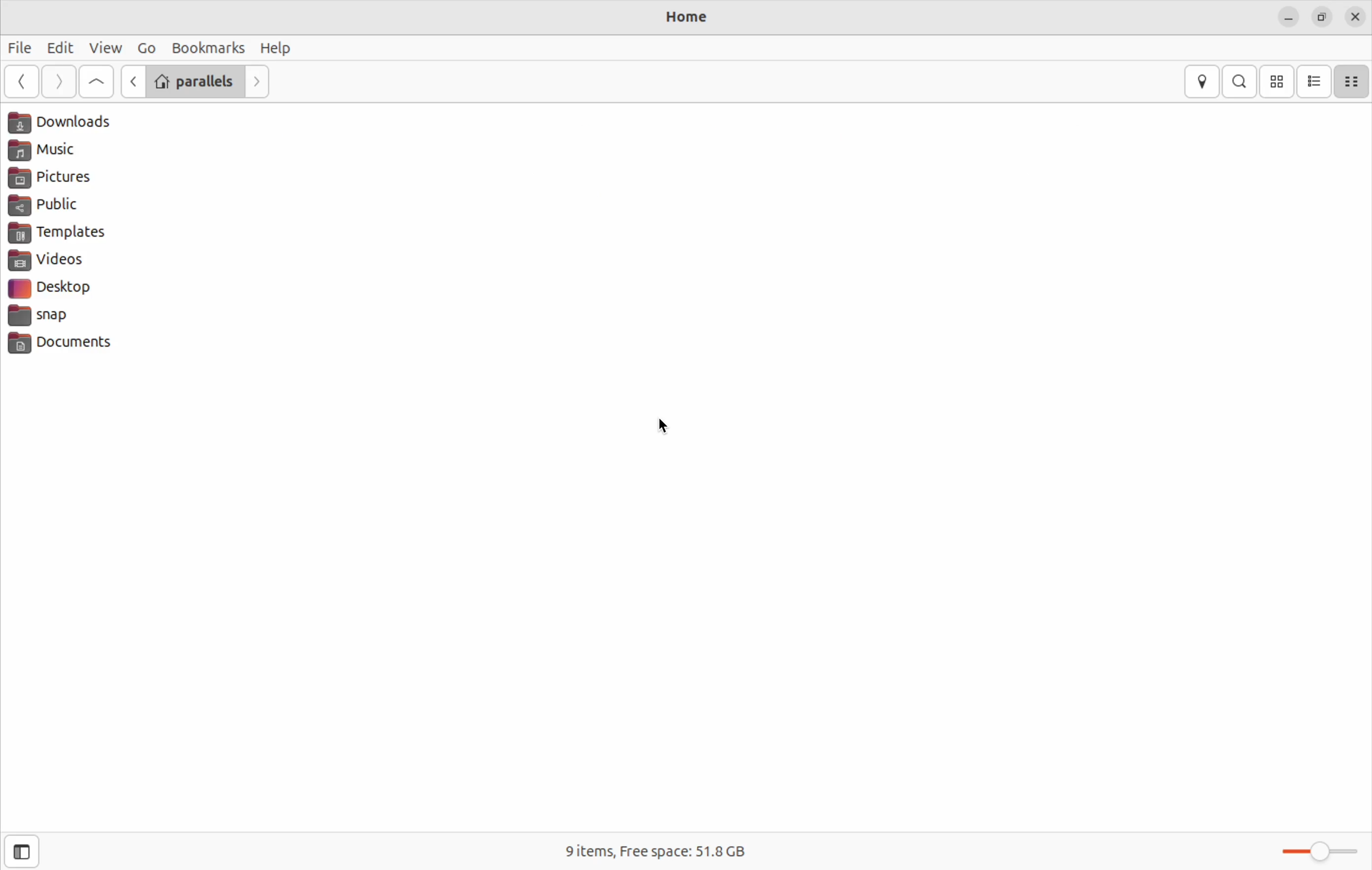 The width and height of the screenshot is (1372, 870). I want to click on Home, so click(687, 18).